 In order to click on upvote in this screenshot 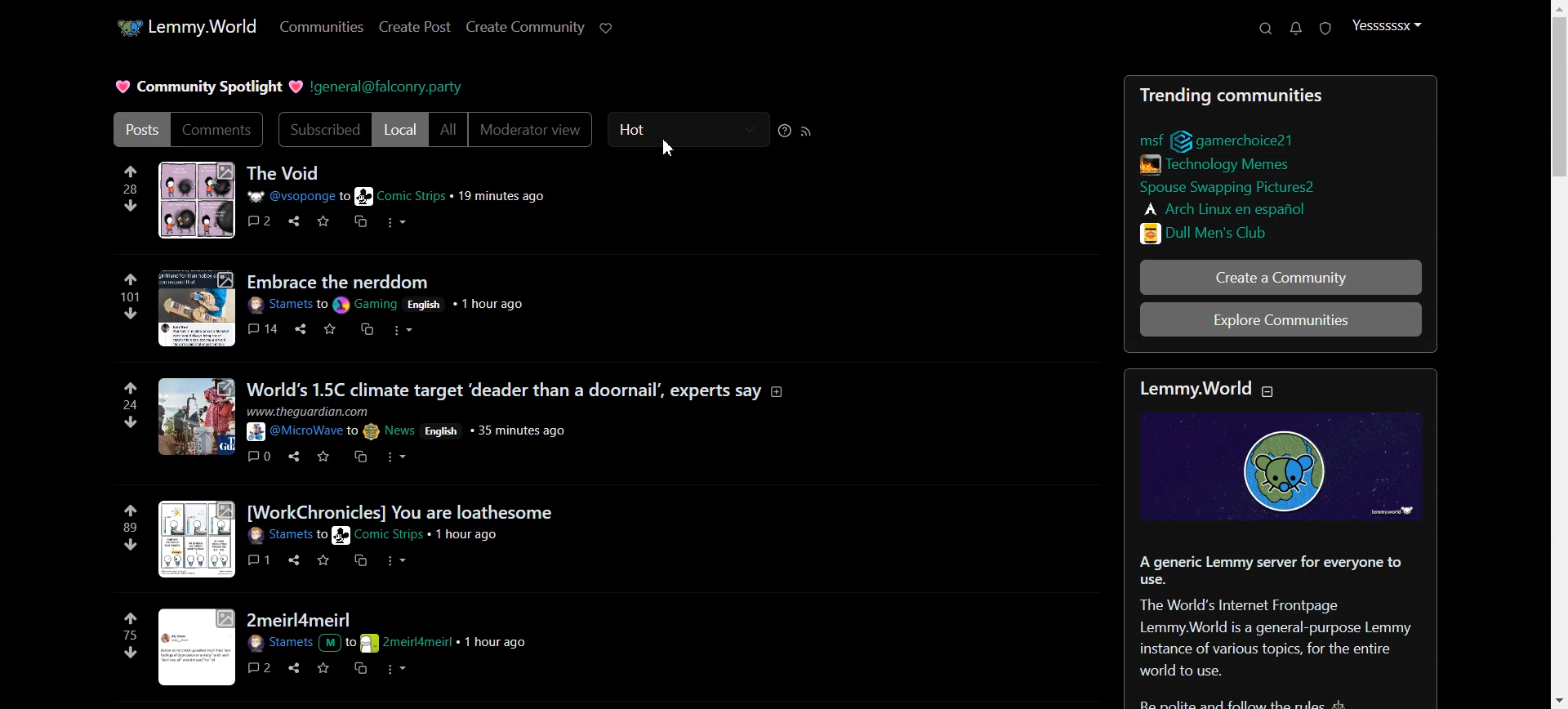, I will do `click(131, 172)`.